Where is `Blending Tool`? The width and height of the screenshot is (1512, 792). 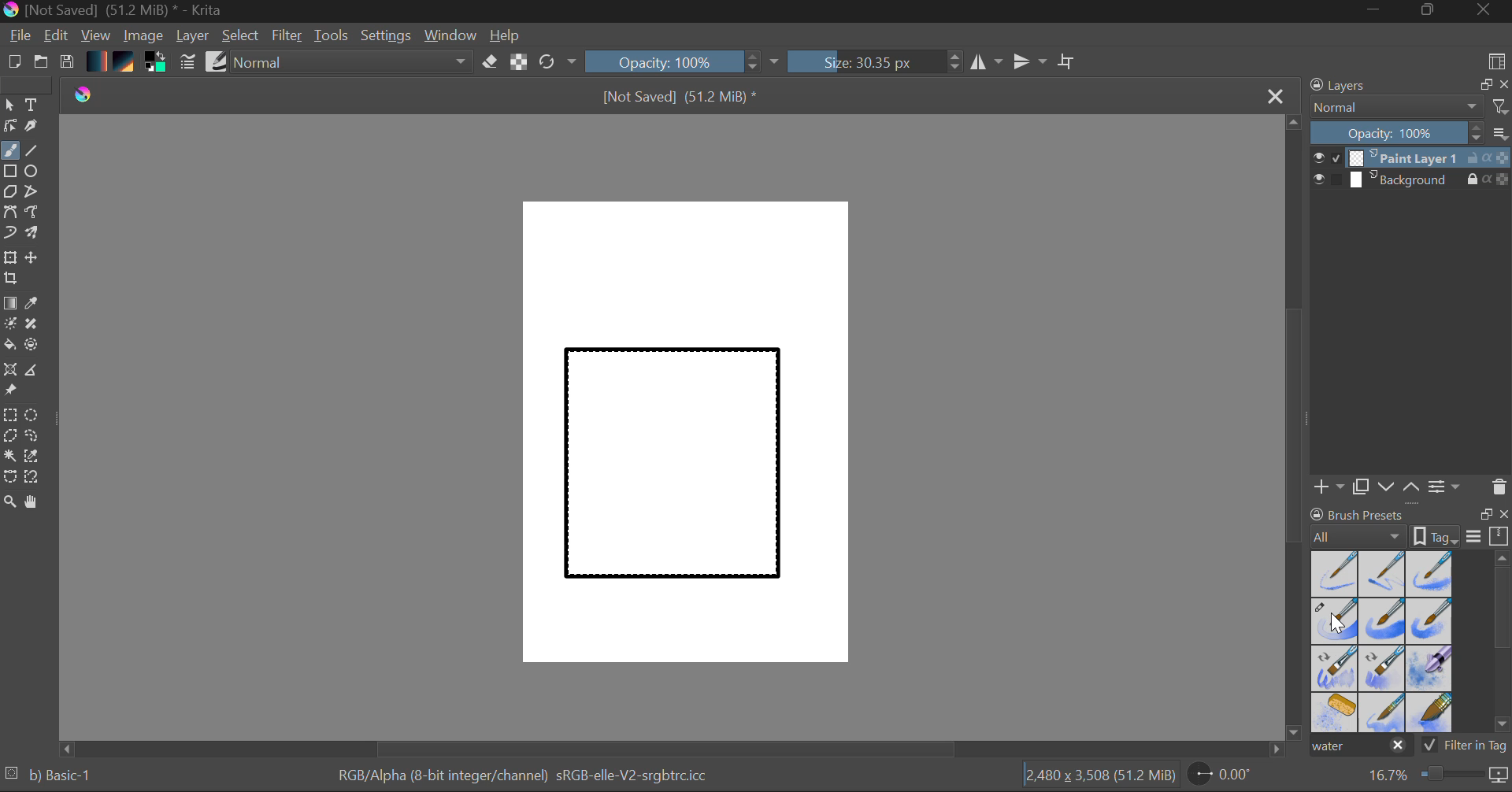 Blending Tool is located at coordinates (354, 63).